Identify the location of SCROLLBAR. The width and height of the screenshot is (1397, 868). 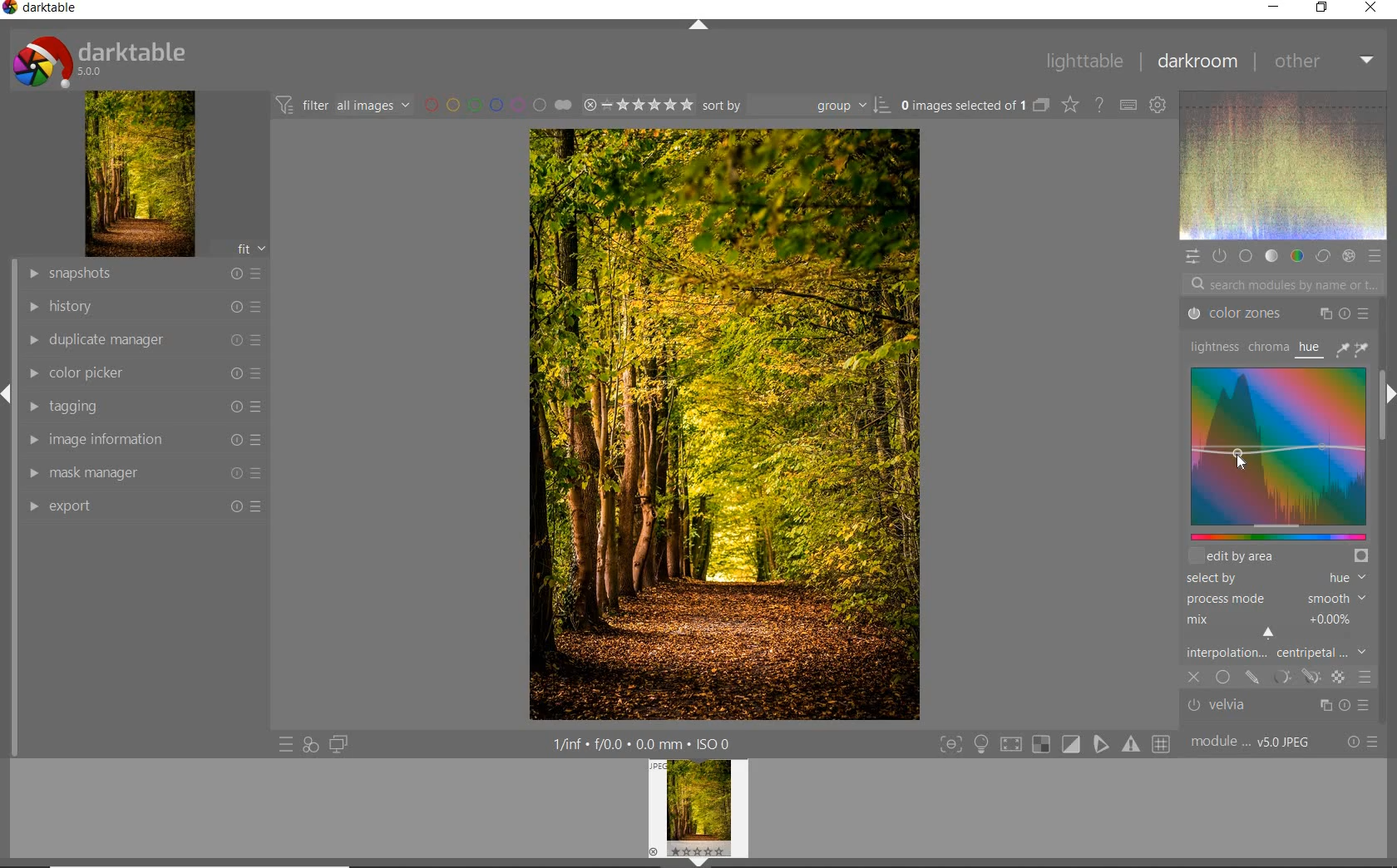
(1386, 427).